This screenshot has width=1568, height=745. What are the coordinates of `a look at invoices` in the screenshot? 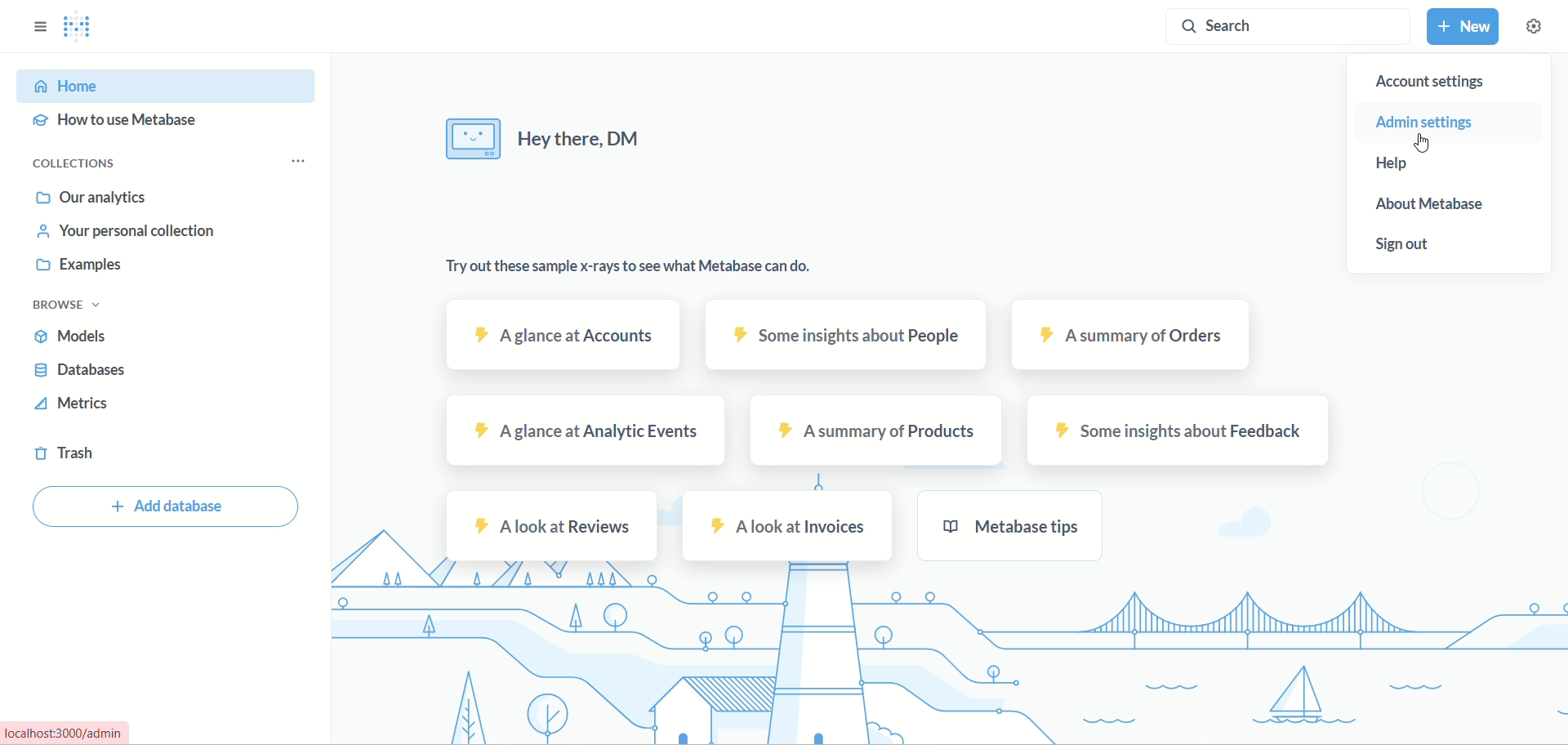 It's located at (786, 527).